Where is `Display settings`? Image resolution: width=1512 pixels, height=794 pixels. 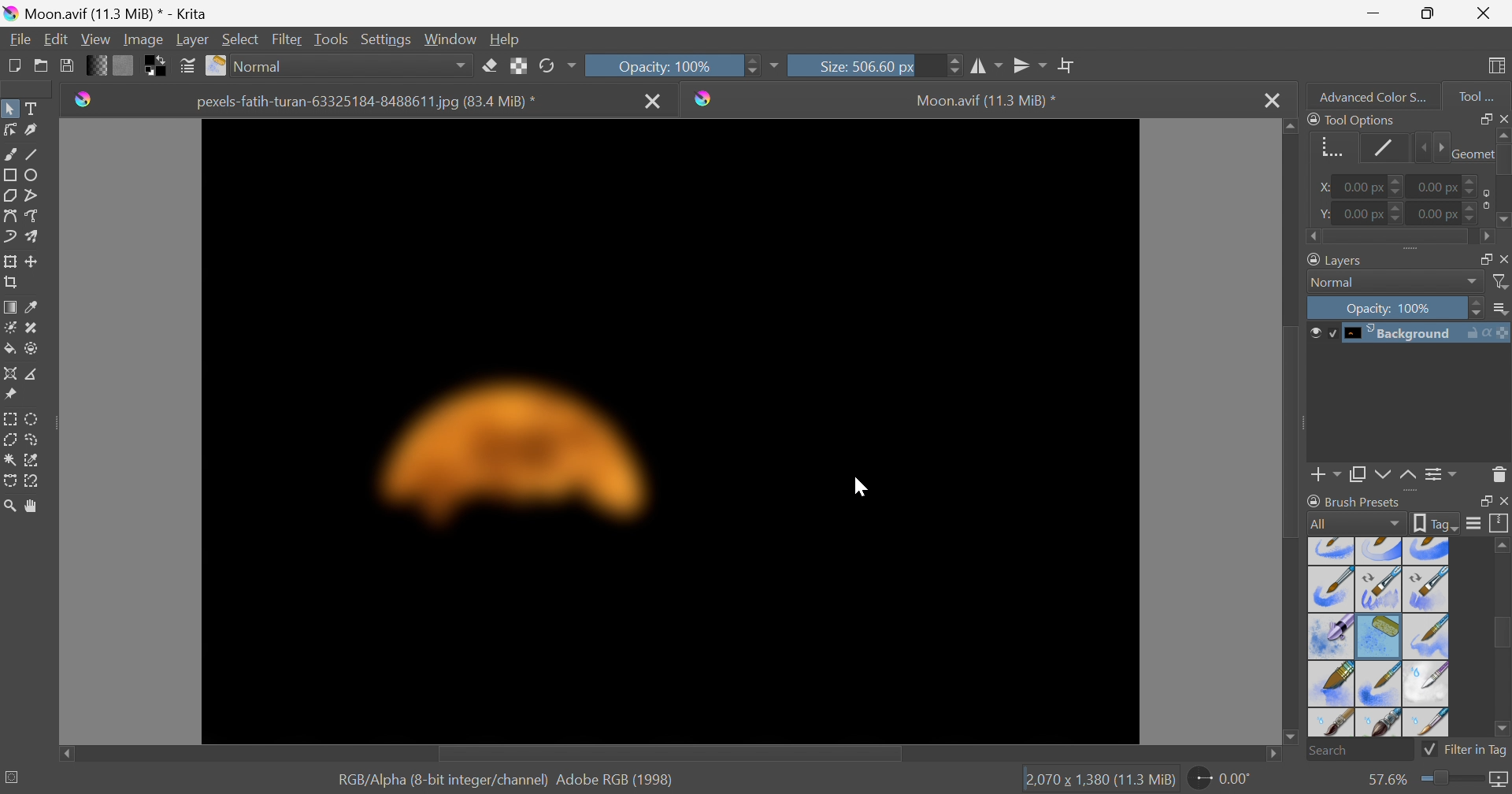
Display settings is located at coordinates (1477, 522).